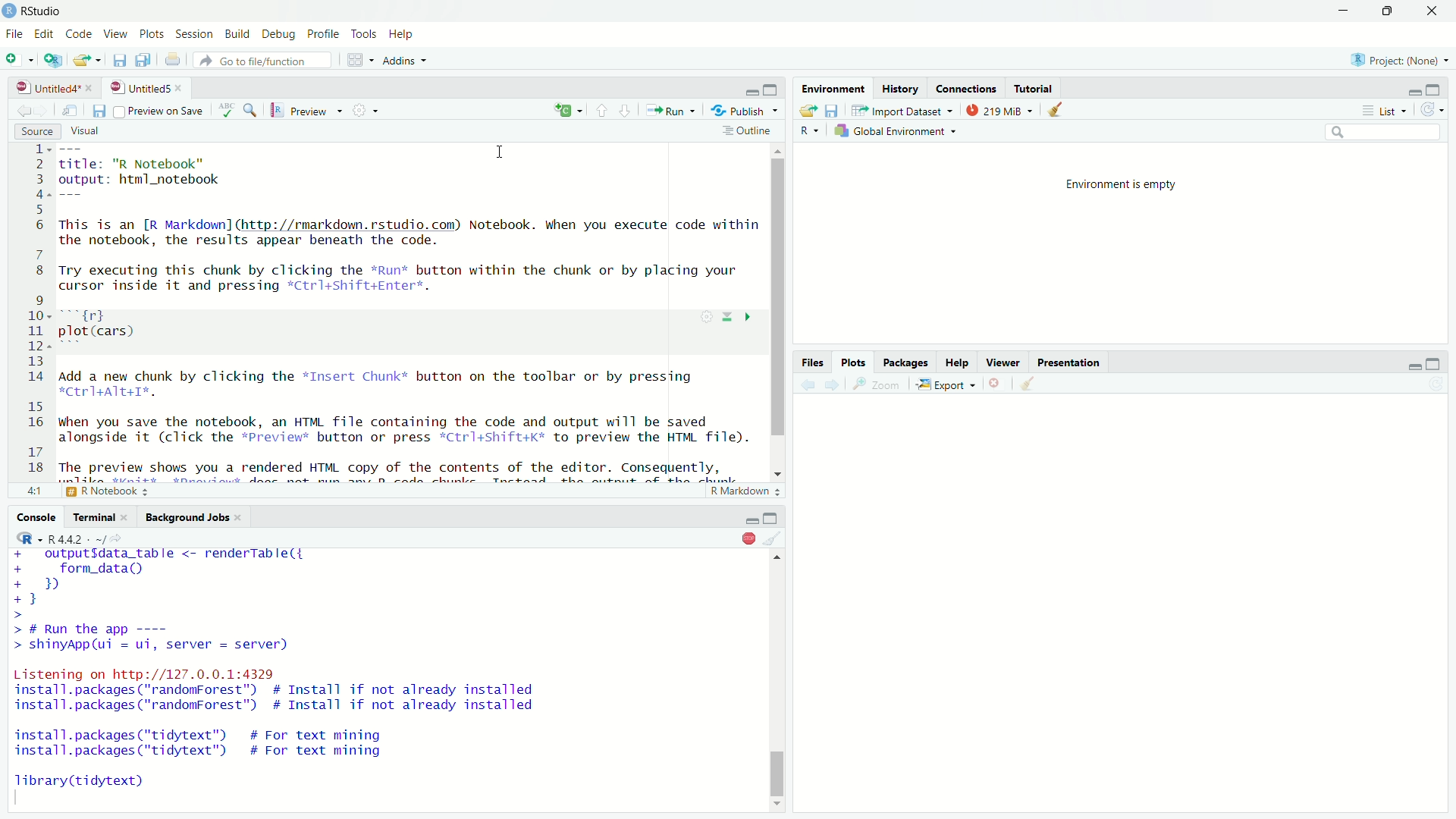  Describe the element at coordinates (1433, 363) in the screenshot. I see `maximize` at that location.